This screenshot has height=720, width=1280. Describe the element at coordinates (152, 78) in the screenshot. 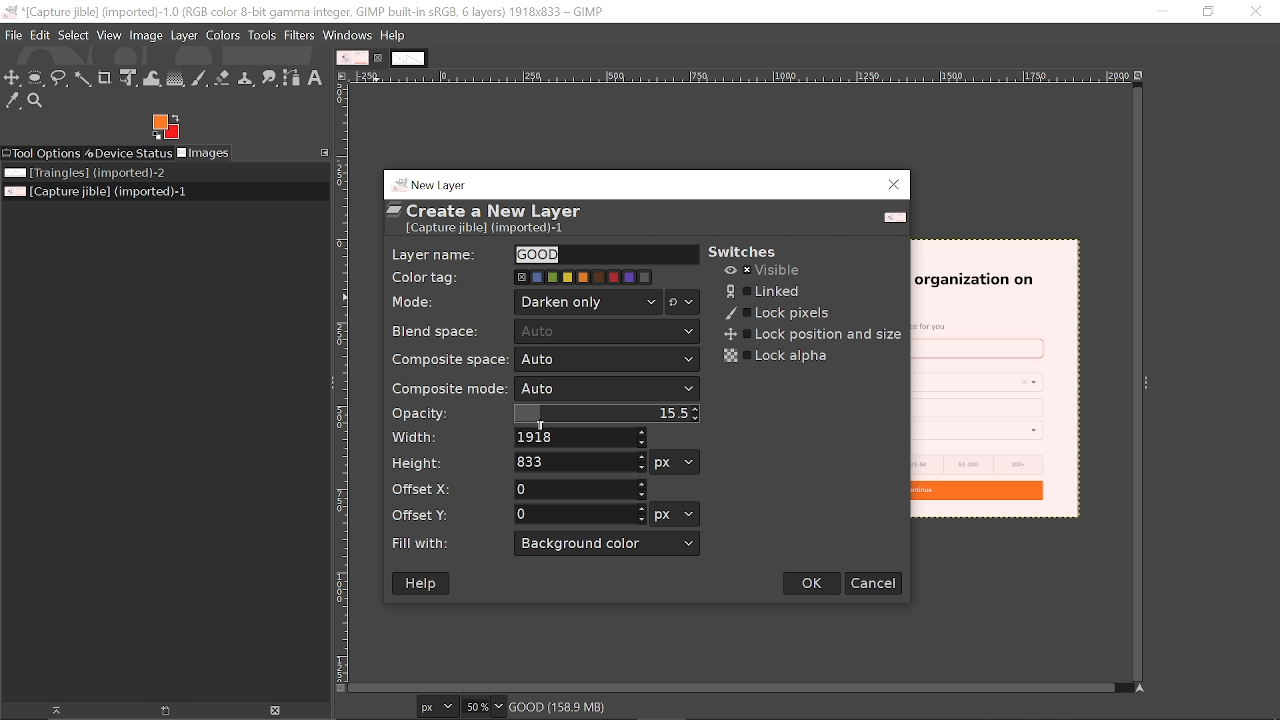

I see `Wrap text tool` at that location.